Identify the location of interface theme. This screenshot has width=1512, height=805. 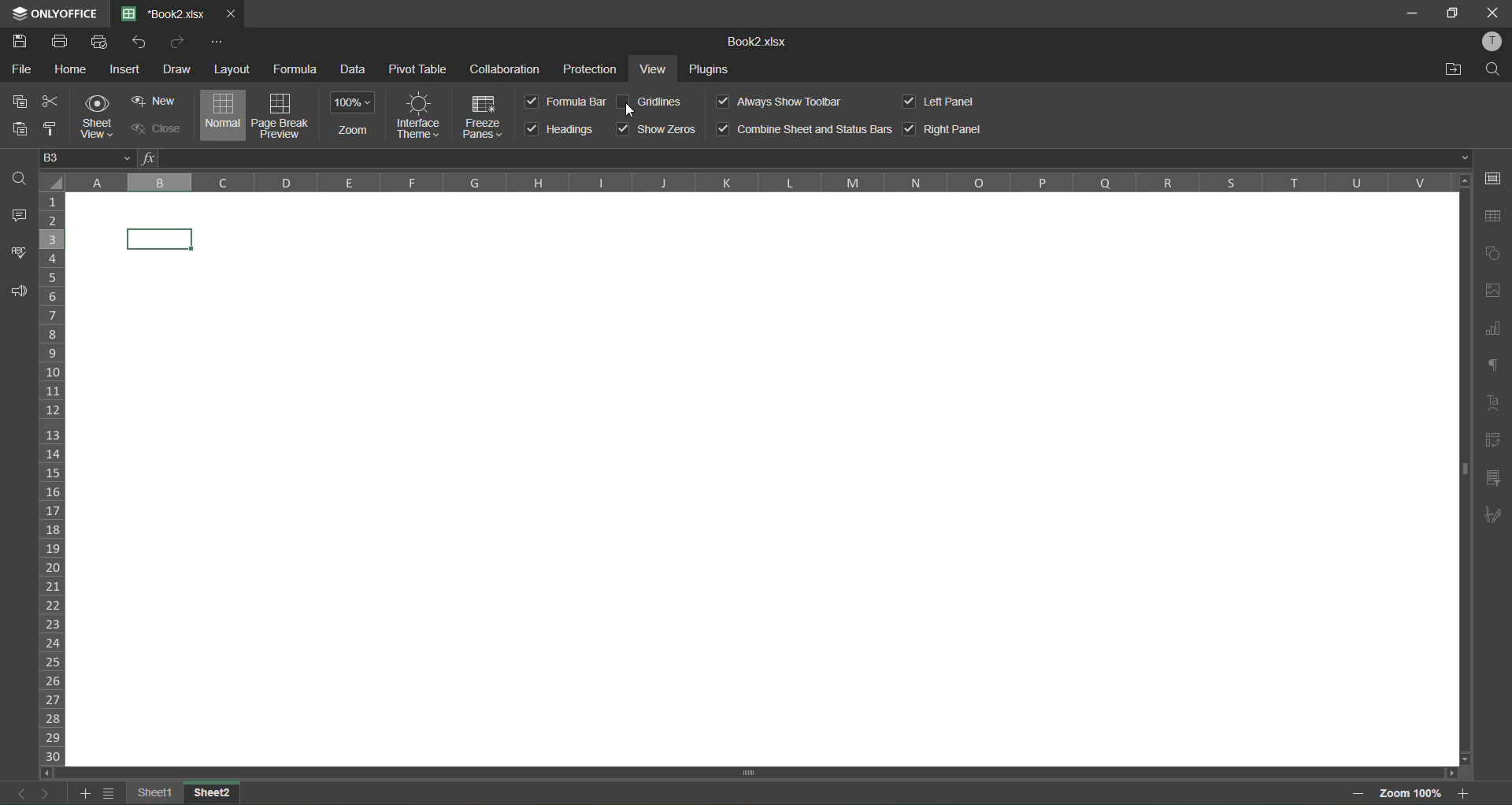
(420, 114).